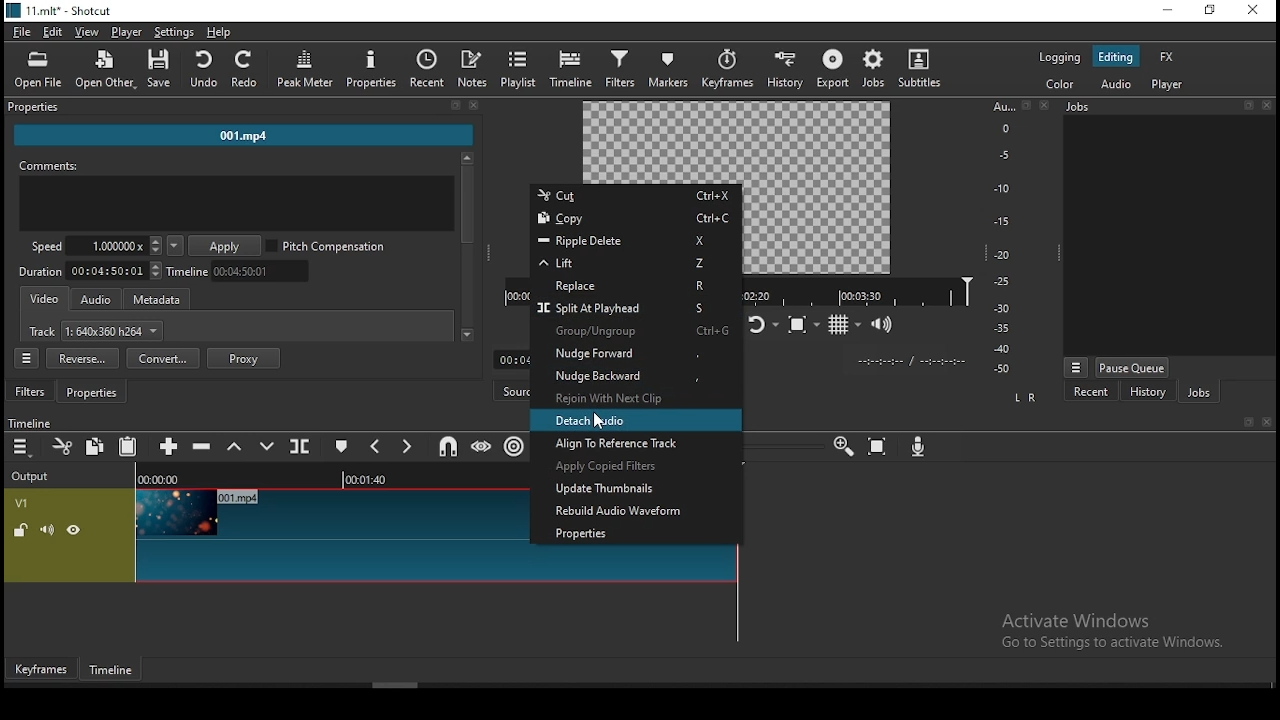 The image size is (1280, 720). I want to click on history, so click(1147, 392).